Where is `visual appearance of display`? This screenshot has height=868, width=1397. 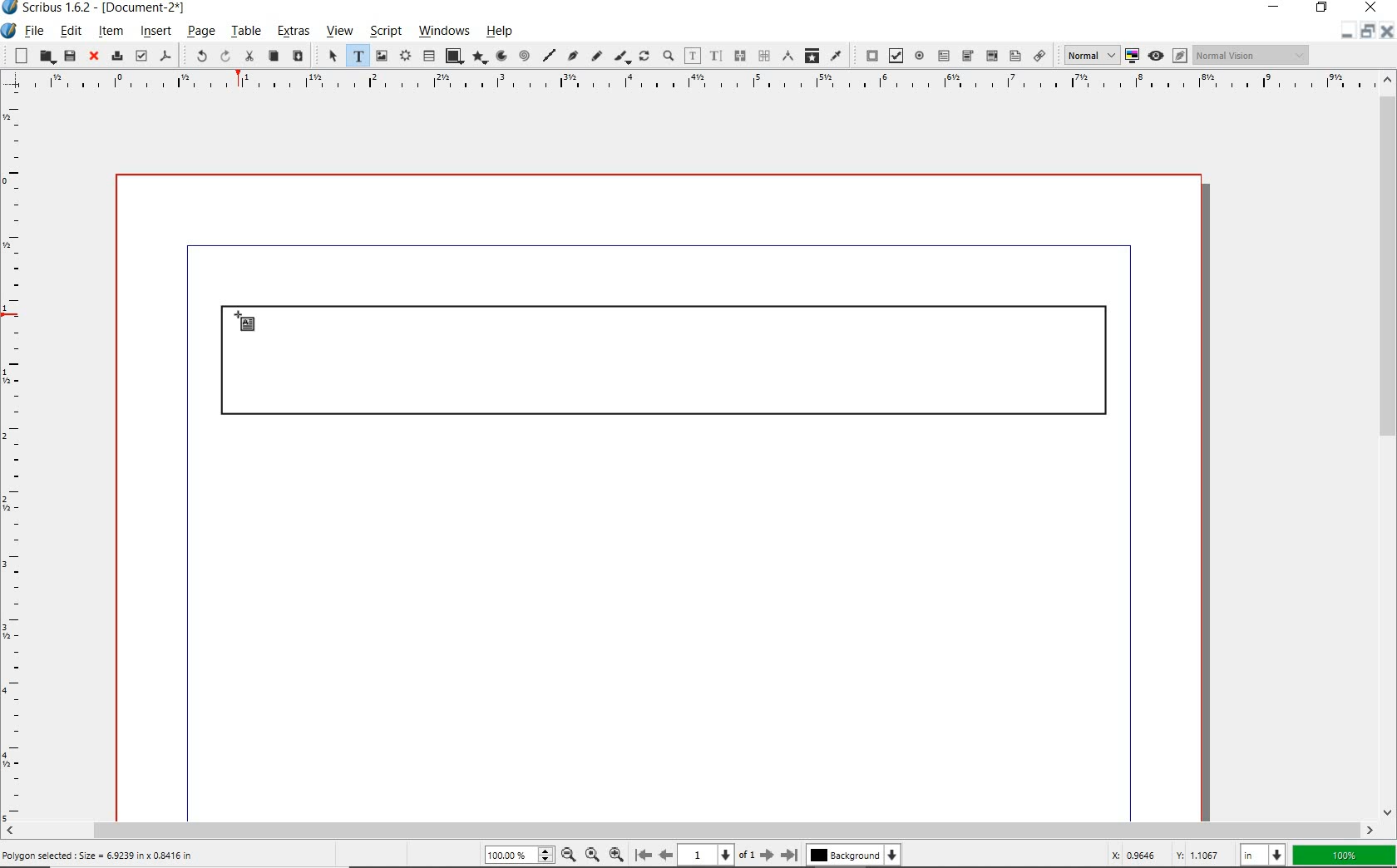
visual appearance of display is located at coordinates (1254, 54).